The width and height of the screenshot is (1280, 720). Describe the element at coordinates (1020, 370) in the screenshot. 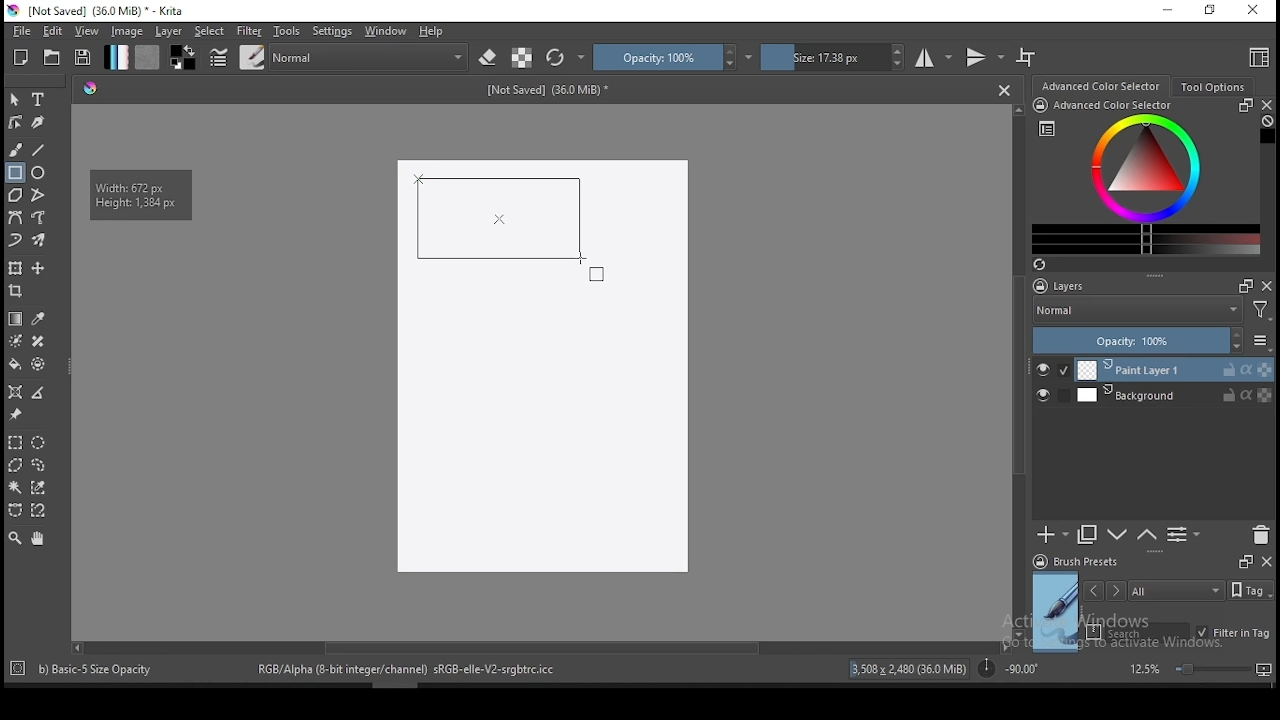

I see `scroll bar` at that location.